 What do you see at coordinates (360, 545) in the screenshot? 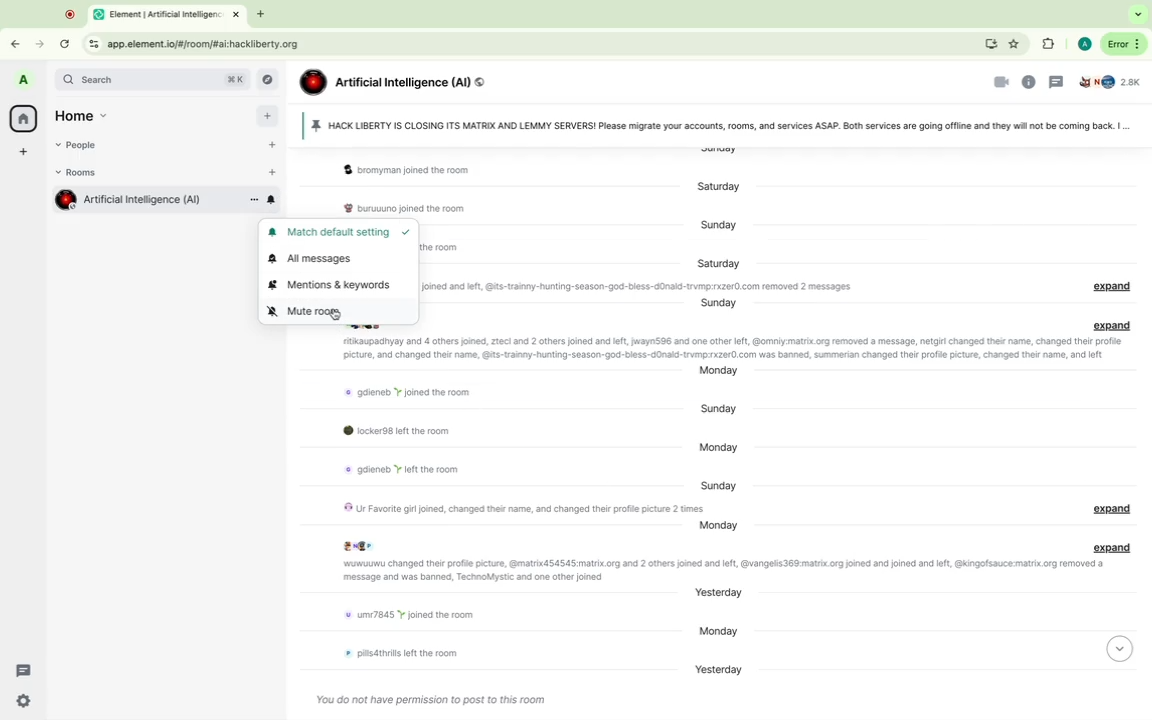
I see `profile pictures` at bounding box center [360, 545].